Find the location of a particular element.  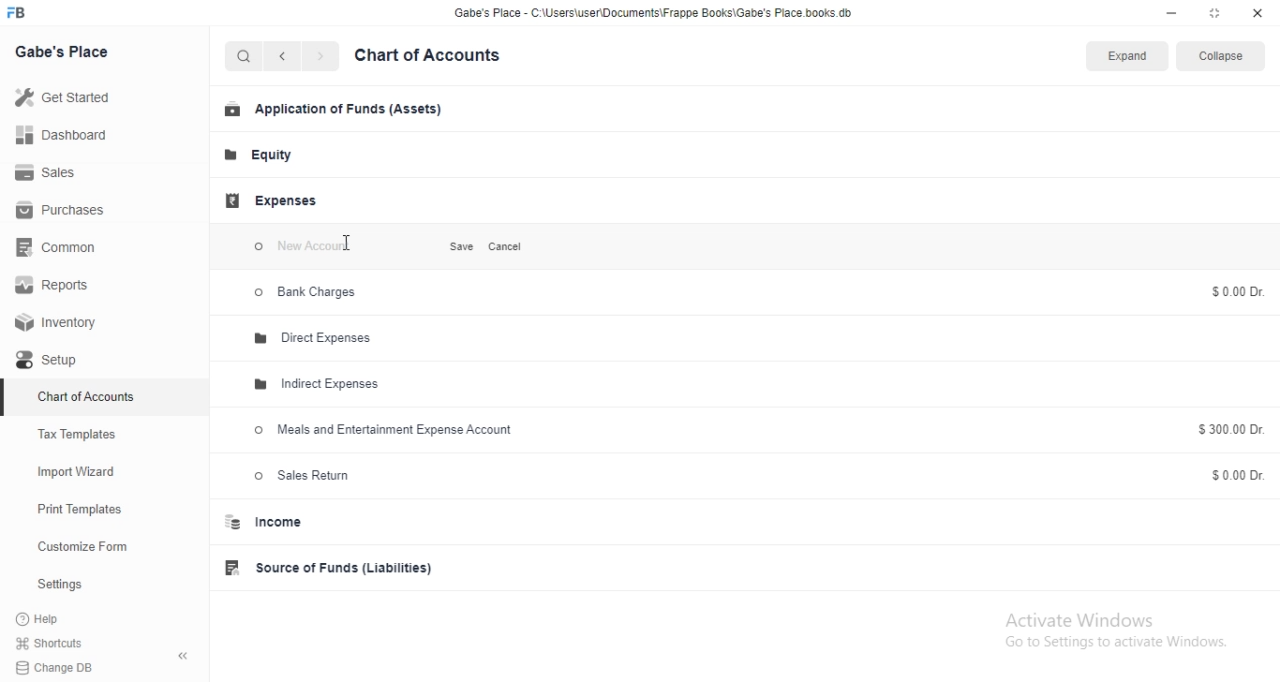

back is located at coordinates (287, 59).